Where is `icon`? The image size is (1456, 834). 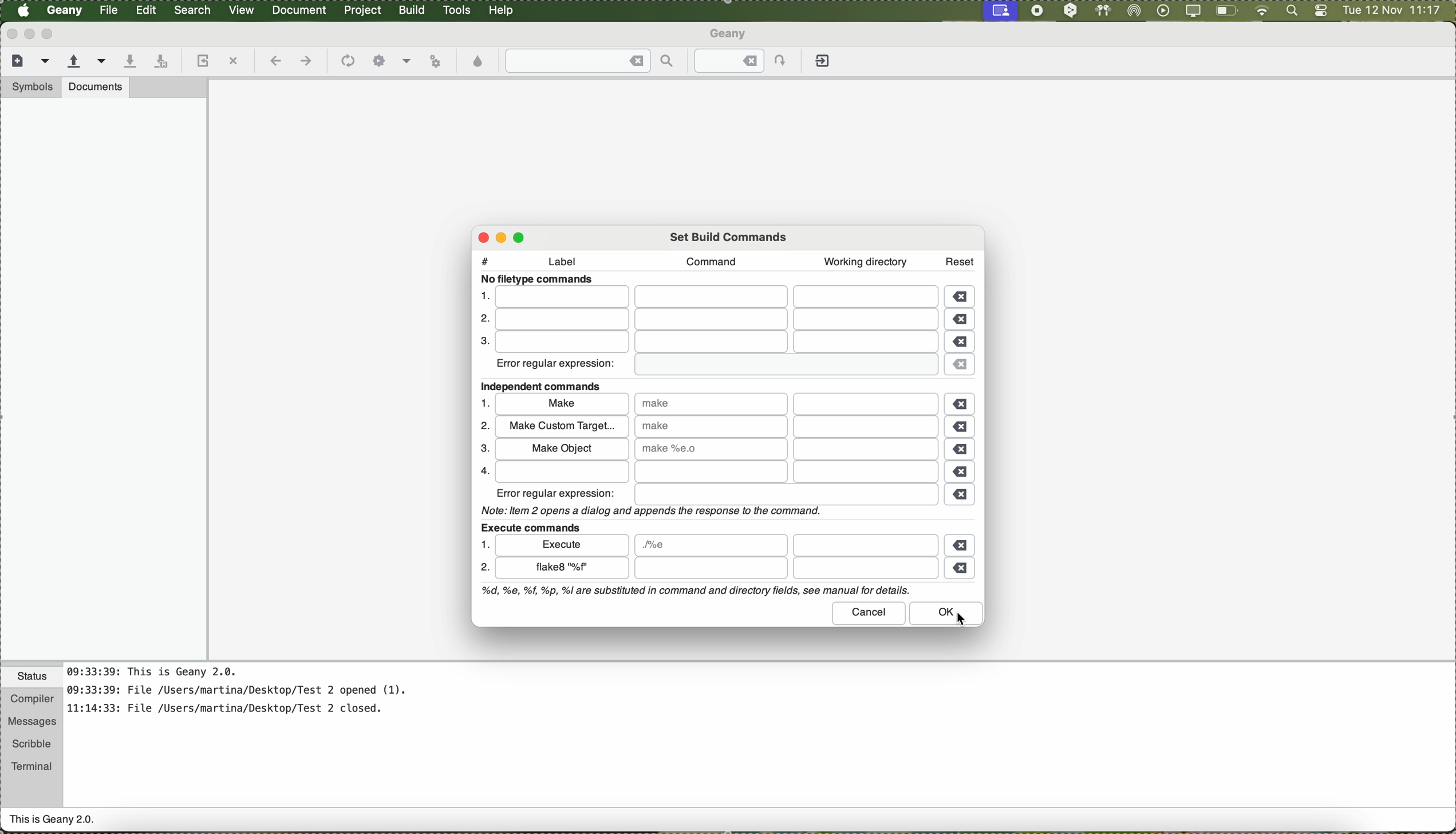
icon is located at coordinates (407, 62).